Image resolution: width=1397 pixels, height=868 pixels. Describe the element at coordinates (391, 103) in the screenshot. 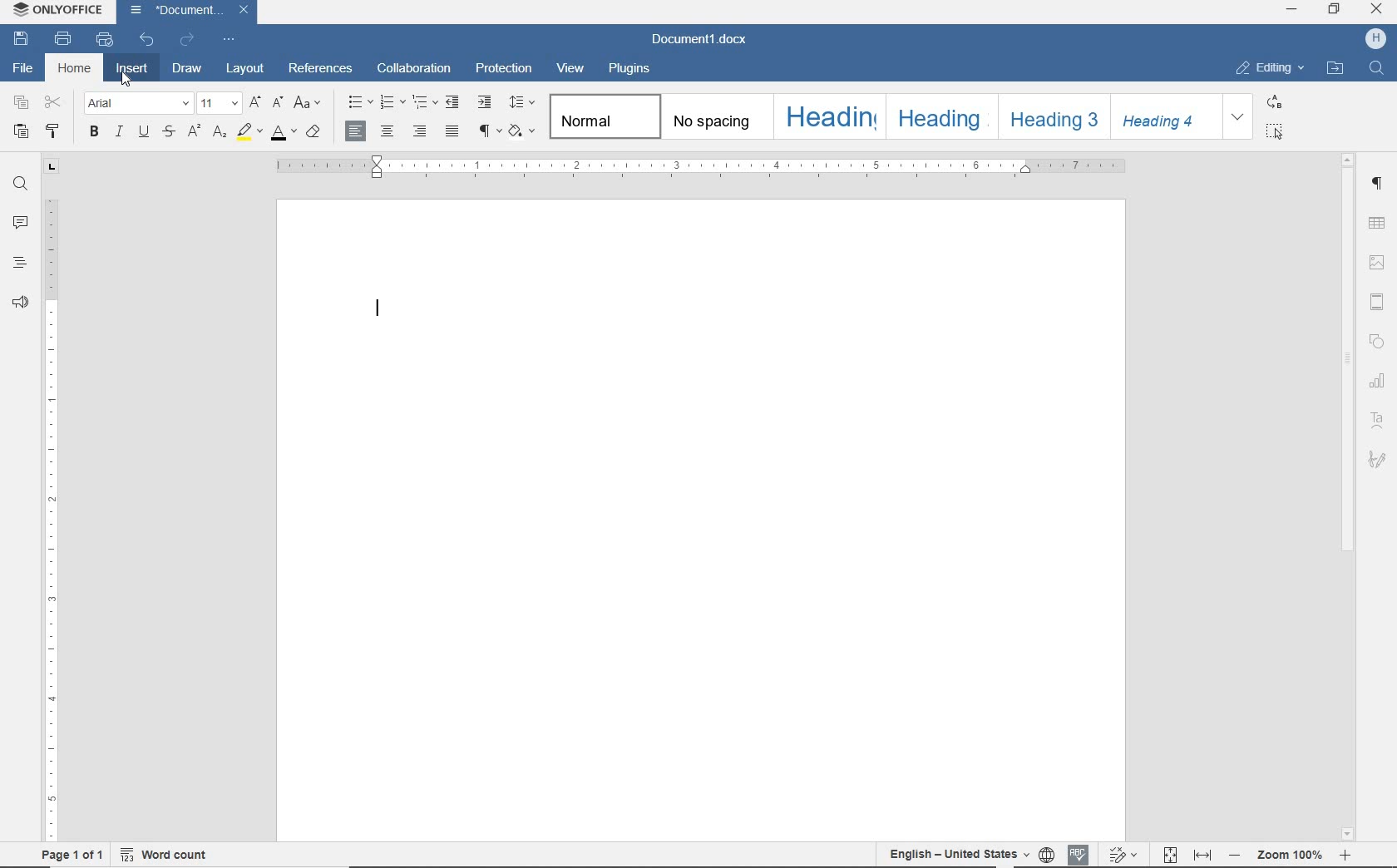

I see `numbering` at that location.